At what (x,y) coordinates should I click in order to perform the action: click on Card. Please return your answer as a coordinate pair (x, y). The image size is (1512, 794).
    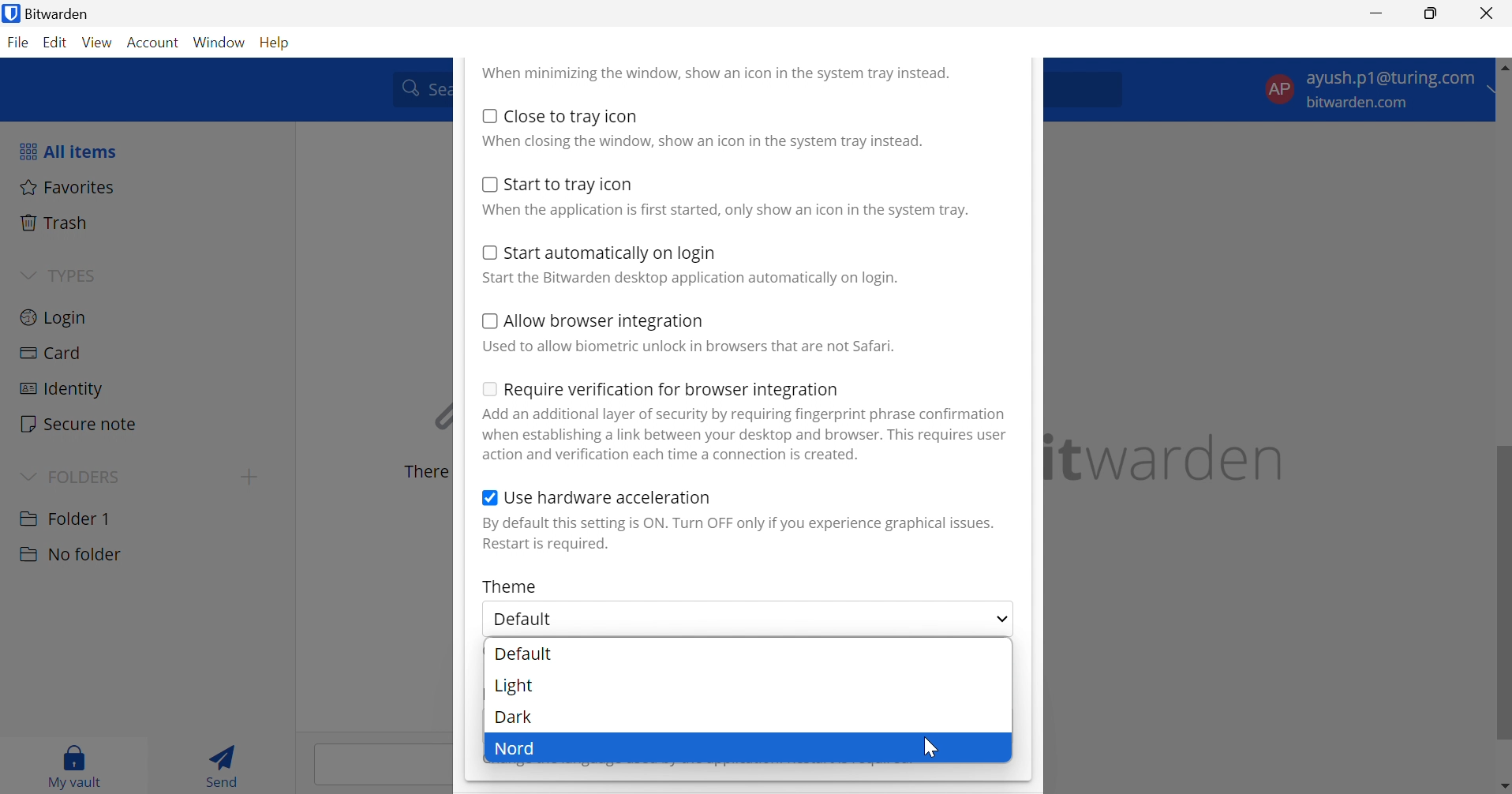
    Looking at the image, I should click on (53, 354).